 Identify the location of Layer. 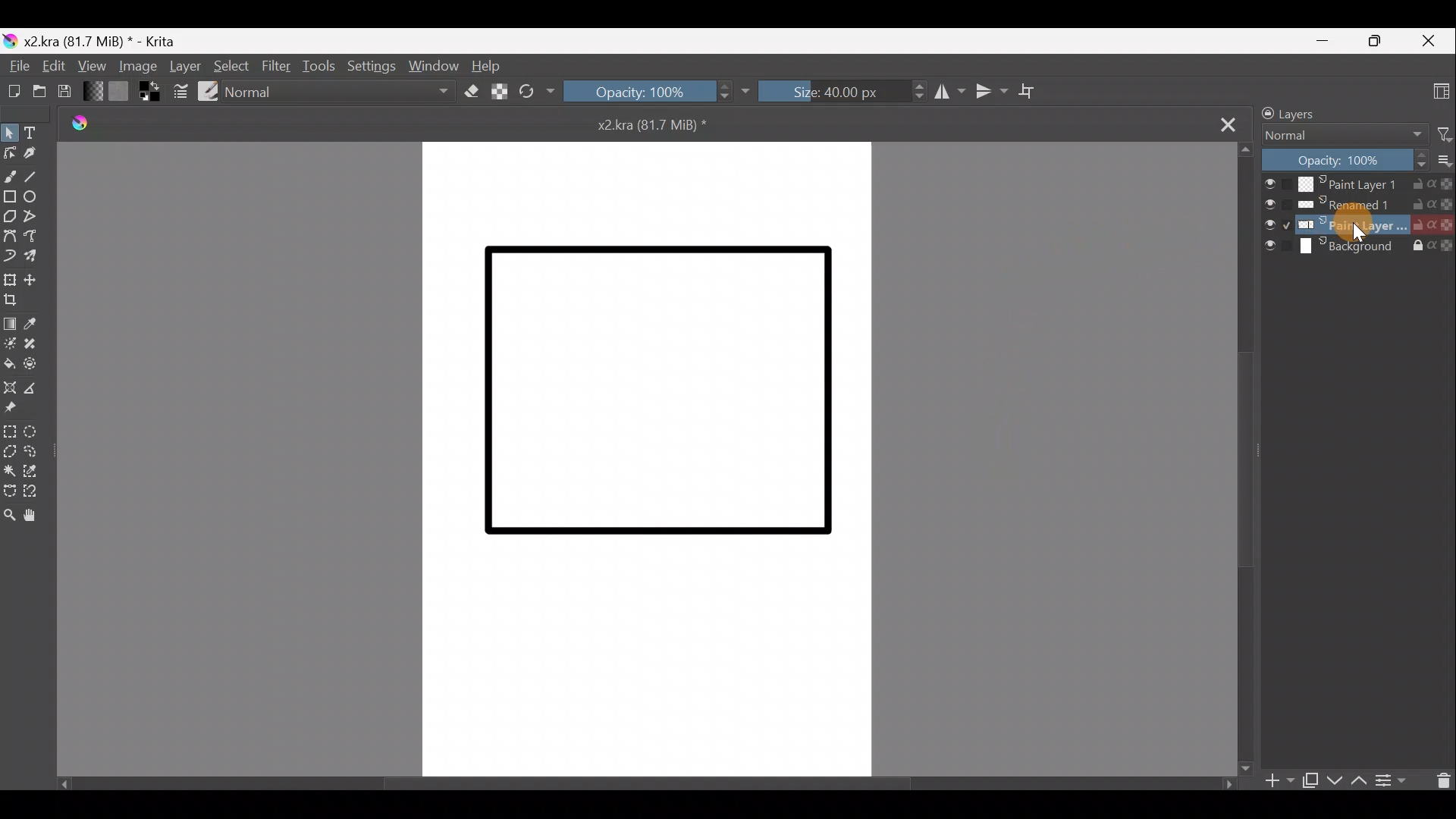
(183, 65).